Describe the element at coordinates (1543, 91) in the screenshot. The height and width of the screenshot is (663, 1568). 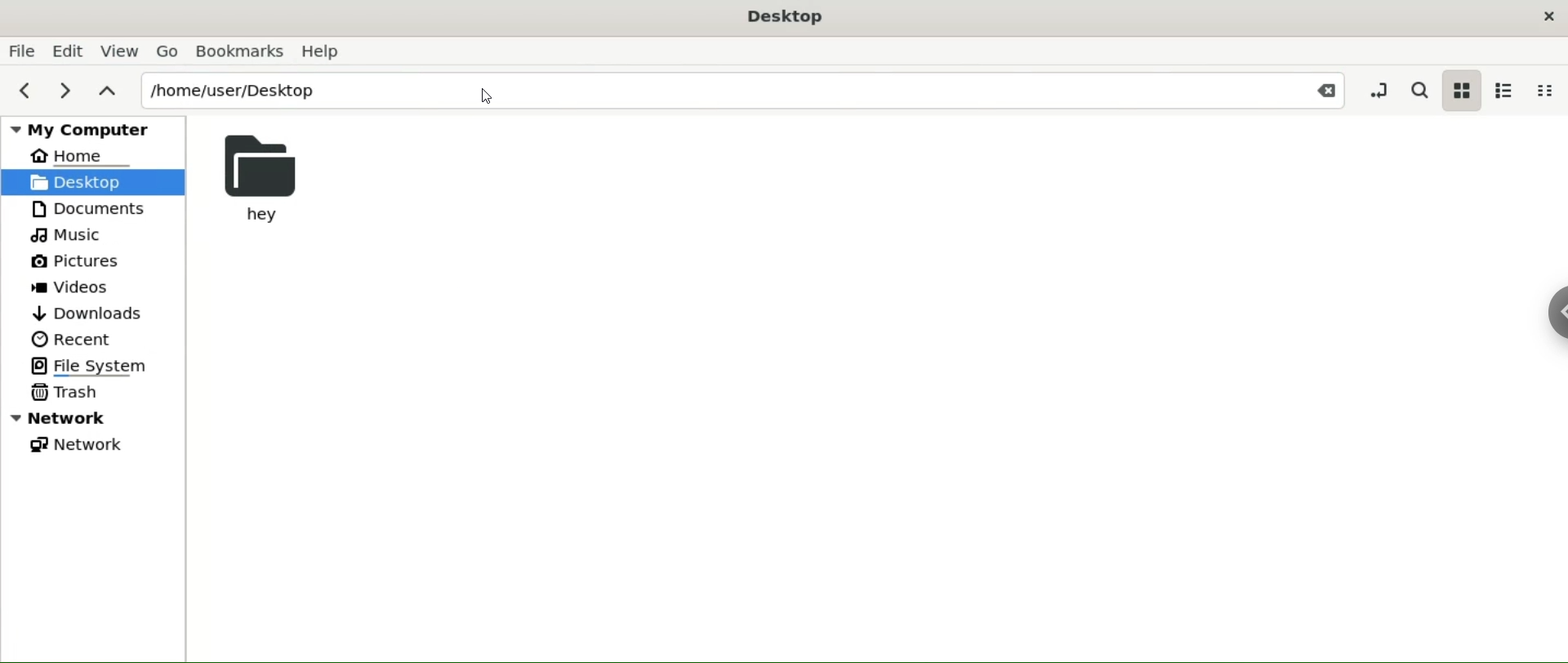
I see `compact view` at that location.